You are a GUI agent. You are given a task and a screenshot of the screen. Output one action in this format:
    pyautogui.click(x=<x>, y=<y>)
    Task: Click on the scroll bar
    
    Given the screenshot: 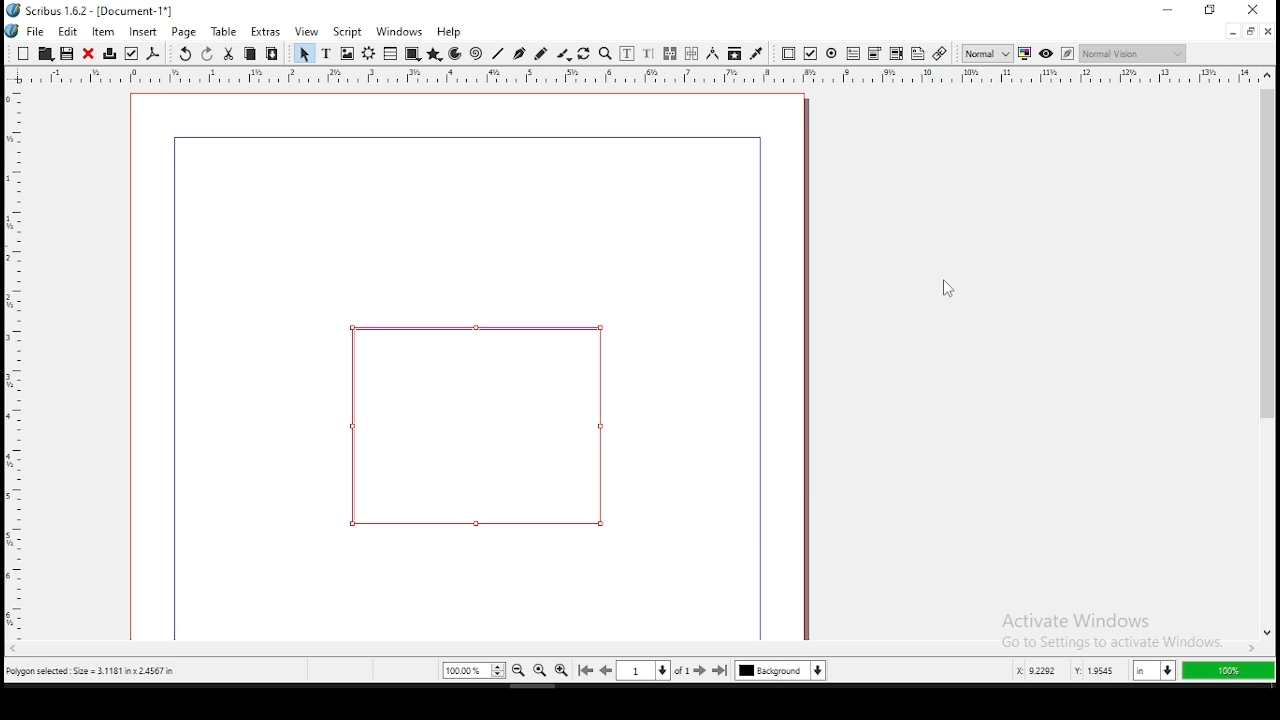 What is the action you would take?
    pyautogui.click(x=1266, y=354)
    